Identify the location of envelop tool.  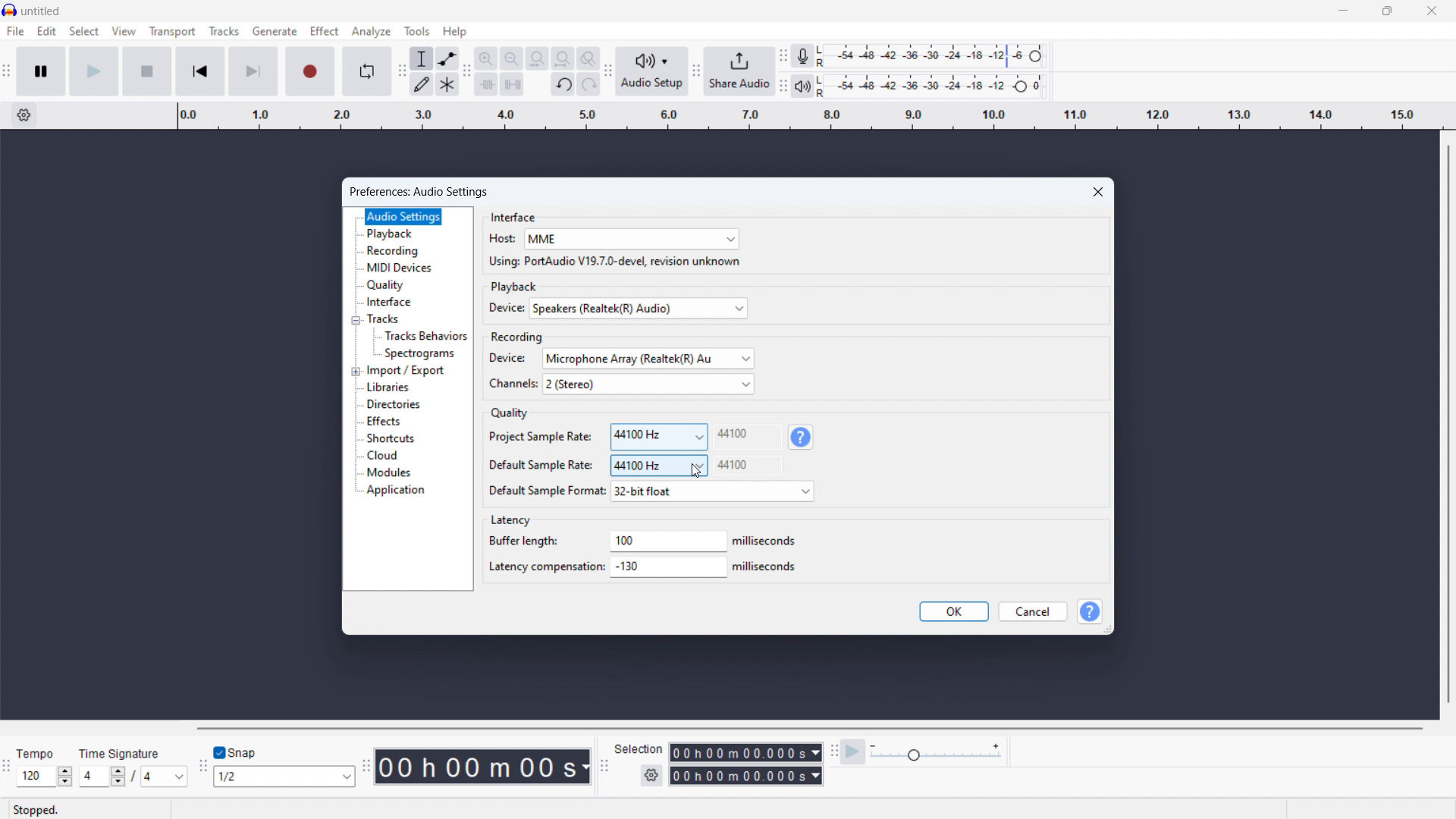
(447, 58).